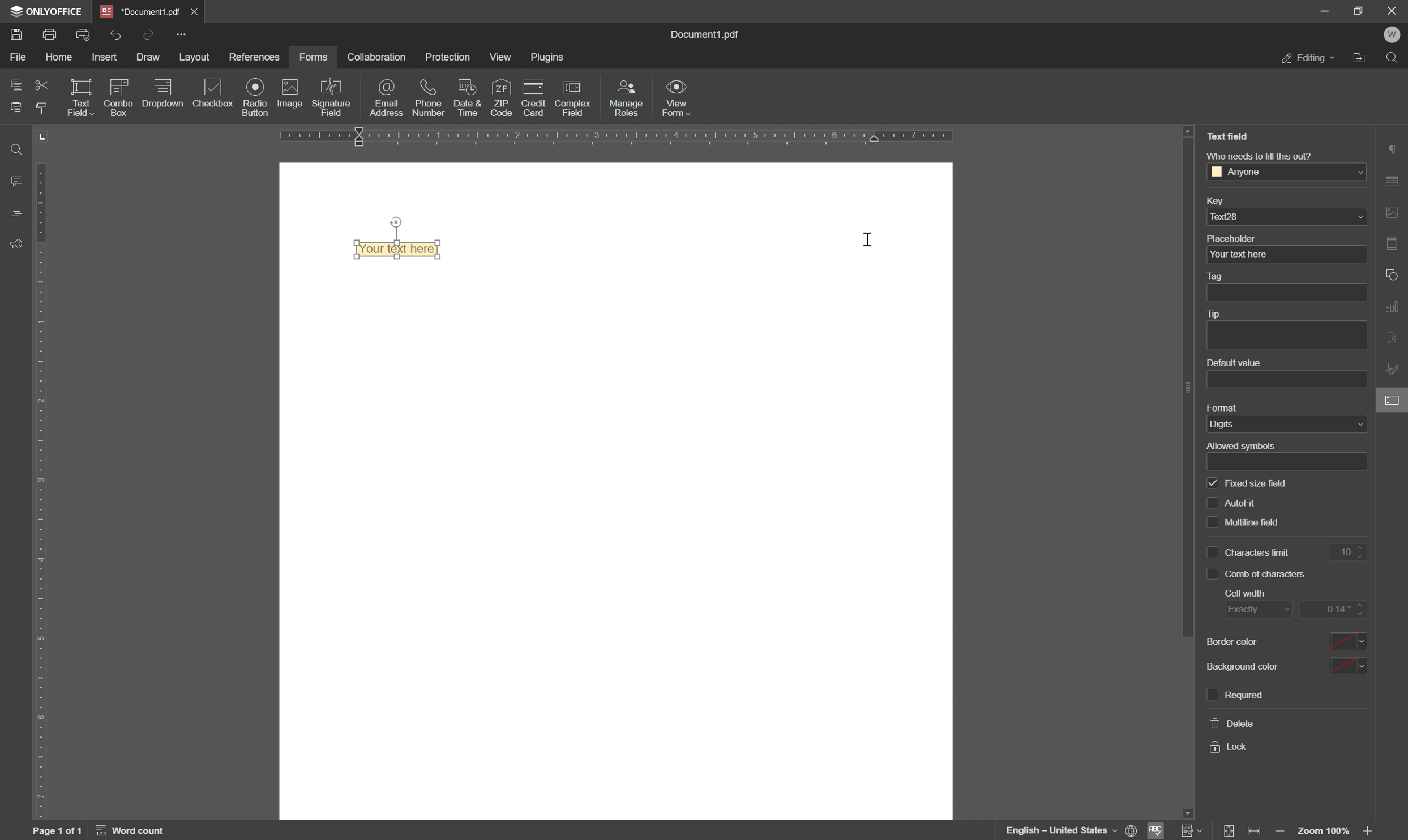  Describe the element at coordinates (1325, 832) in the screenshot. I see `zoom 100%` at that location.